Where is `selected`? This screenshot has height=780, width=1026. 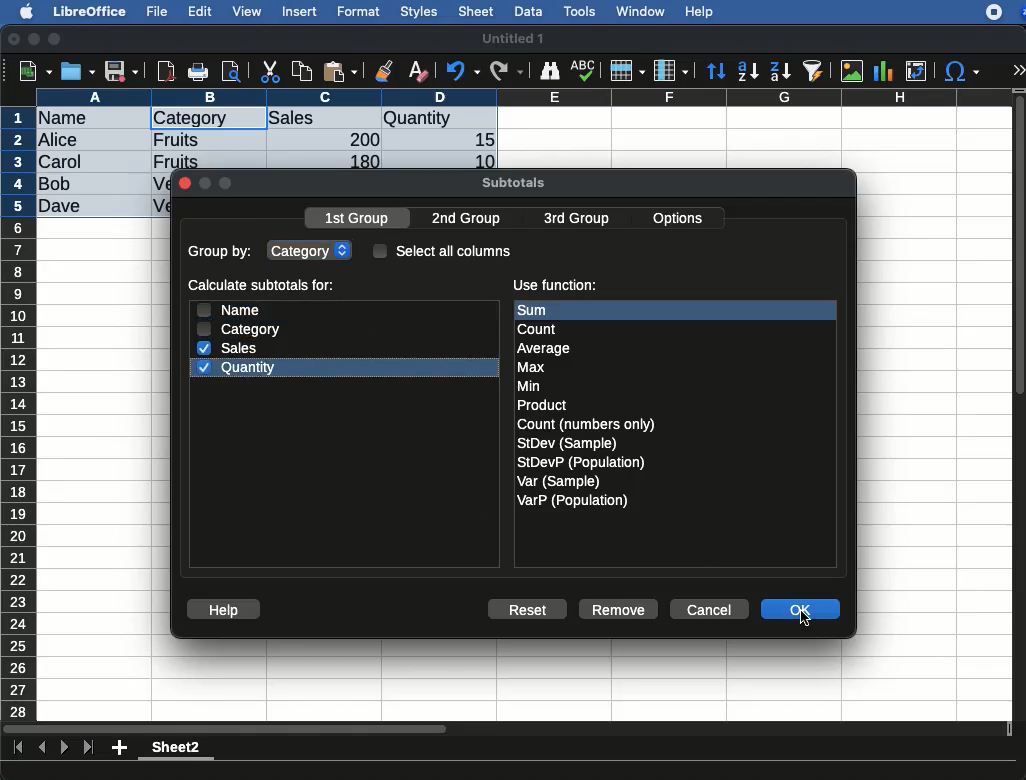 selected is located at coordinates (246, 118).